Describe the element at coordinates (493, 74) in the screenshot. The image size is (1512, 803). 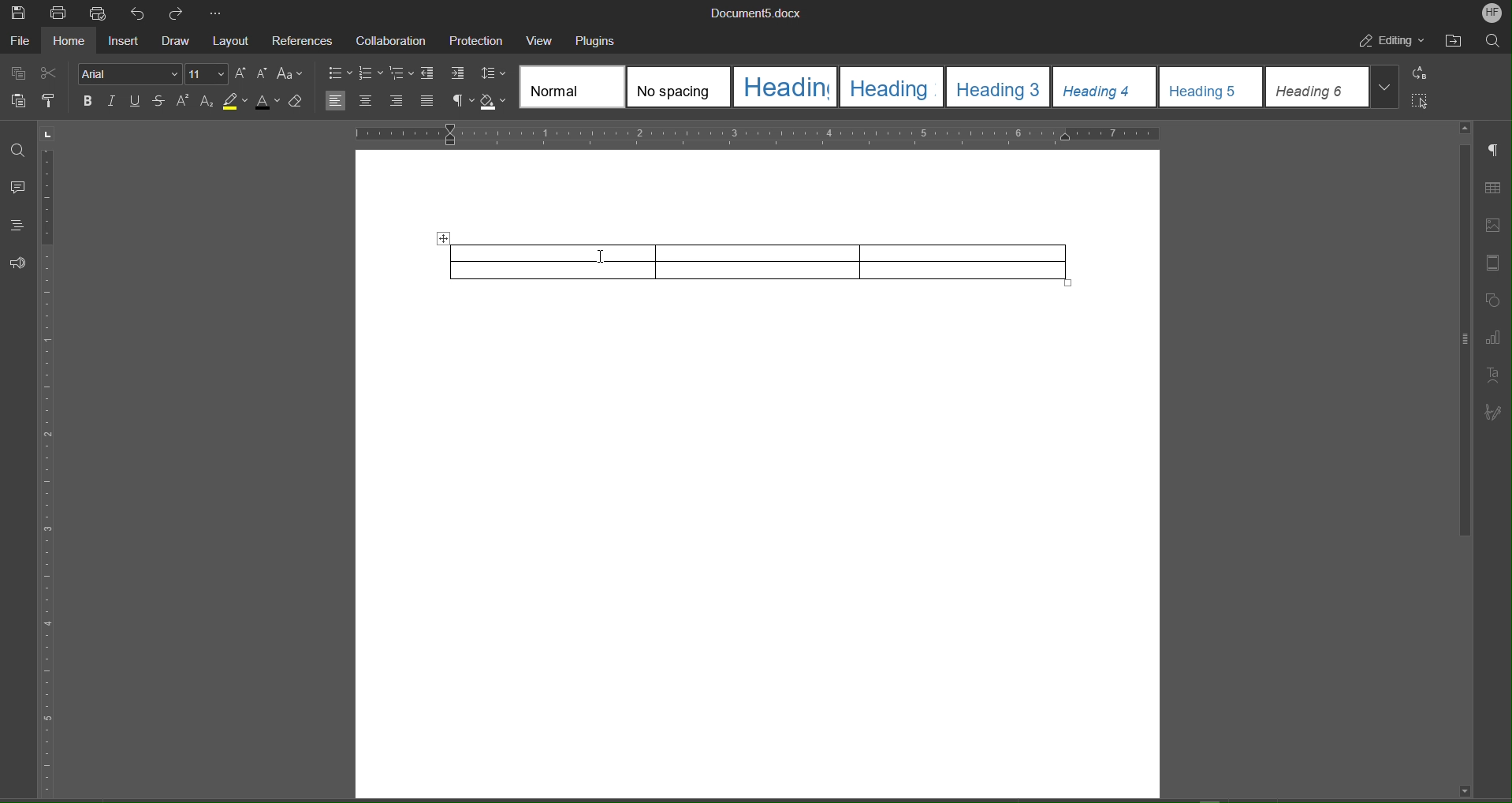
I see `Line Spacing` at that location.